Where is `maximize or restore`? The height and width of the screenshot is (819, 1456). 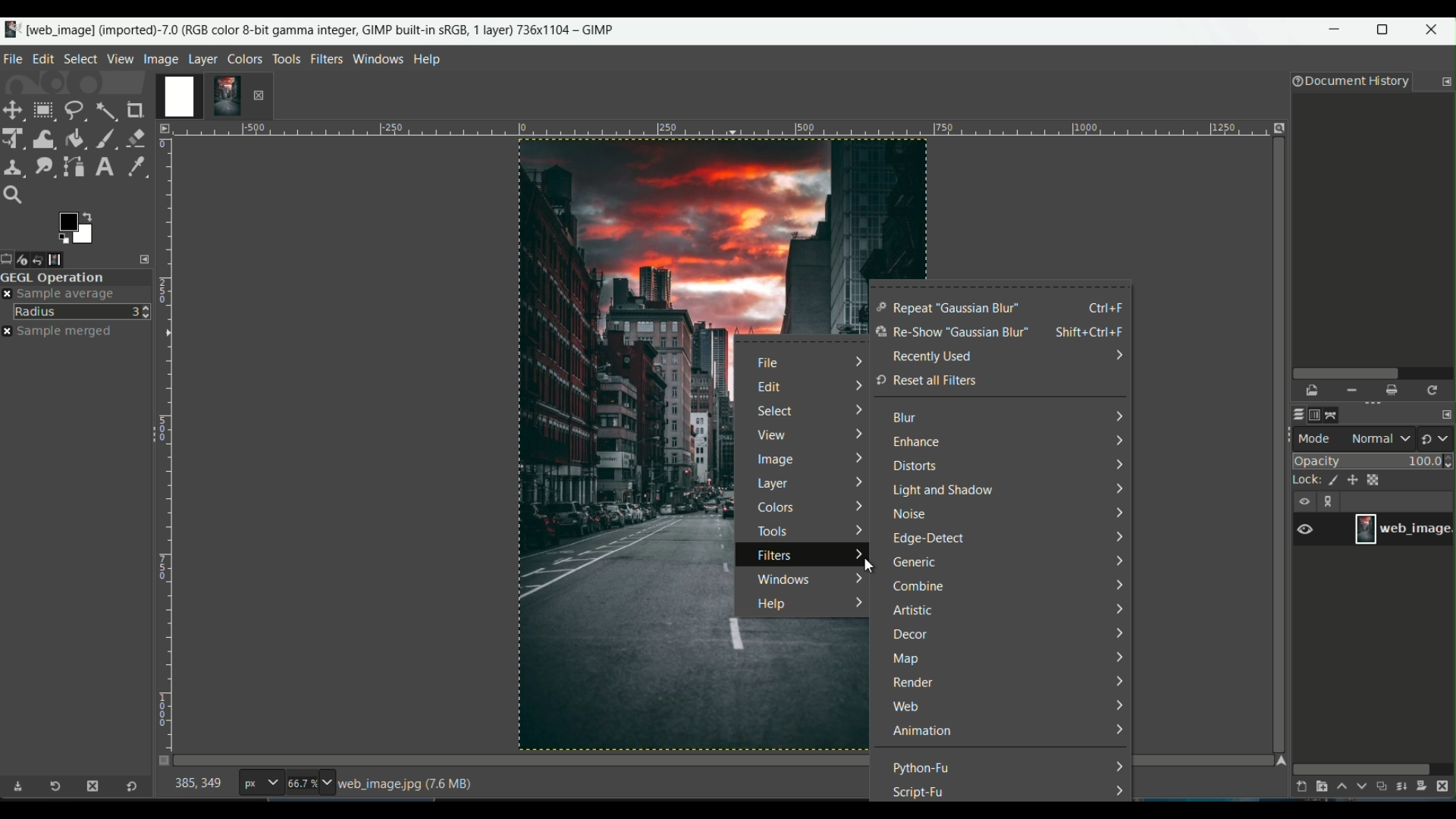 maximize or restore is located at coordinates (1387, 30).